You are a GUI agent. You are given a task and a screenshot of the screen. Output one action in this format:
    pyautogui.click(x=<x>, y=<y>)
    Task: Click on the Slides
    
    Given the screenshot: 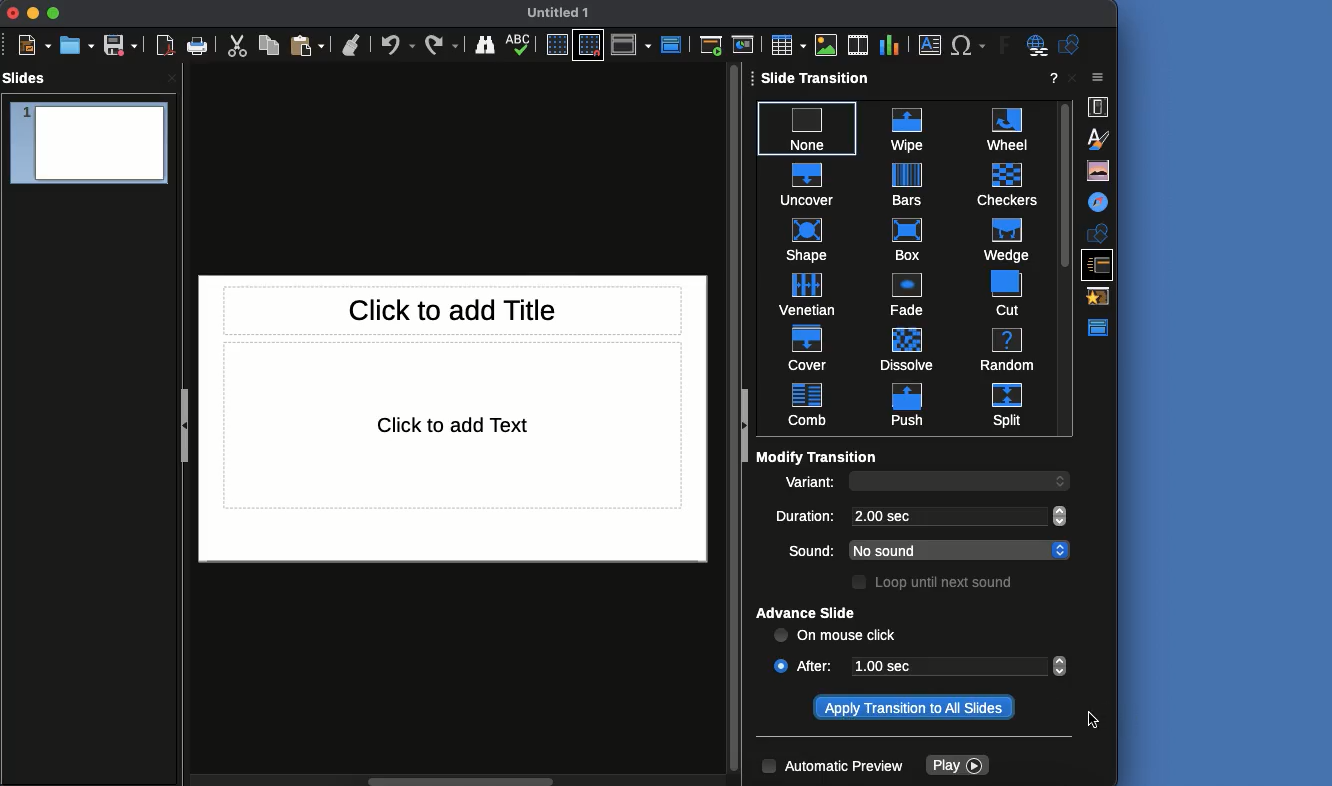 What is the action you would take?
    pyautogui.click(x=28, y=78)
    